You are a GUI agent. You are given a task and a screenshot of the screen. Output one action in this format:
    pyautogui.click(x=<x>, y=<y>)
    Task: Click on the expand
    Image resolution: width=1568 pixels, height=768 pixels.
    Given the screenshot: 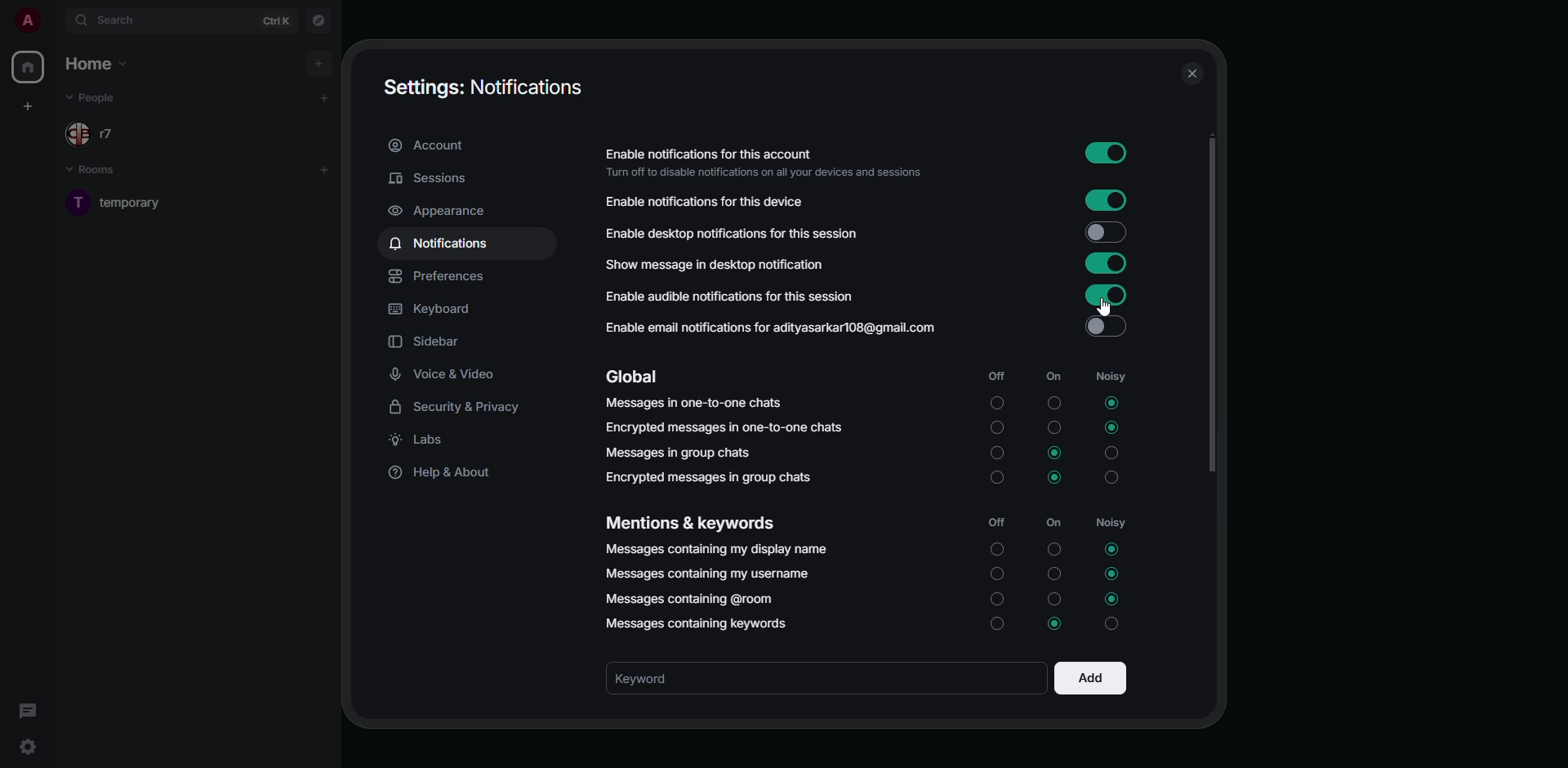 What is the action you would take?
    pyautogui.click(x=56, y=21)
    